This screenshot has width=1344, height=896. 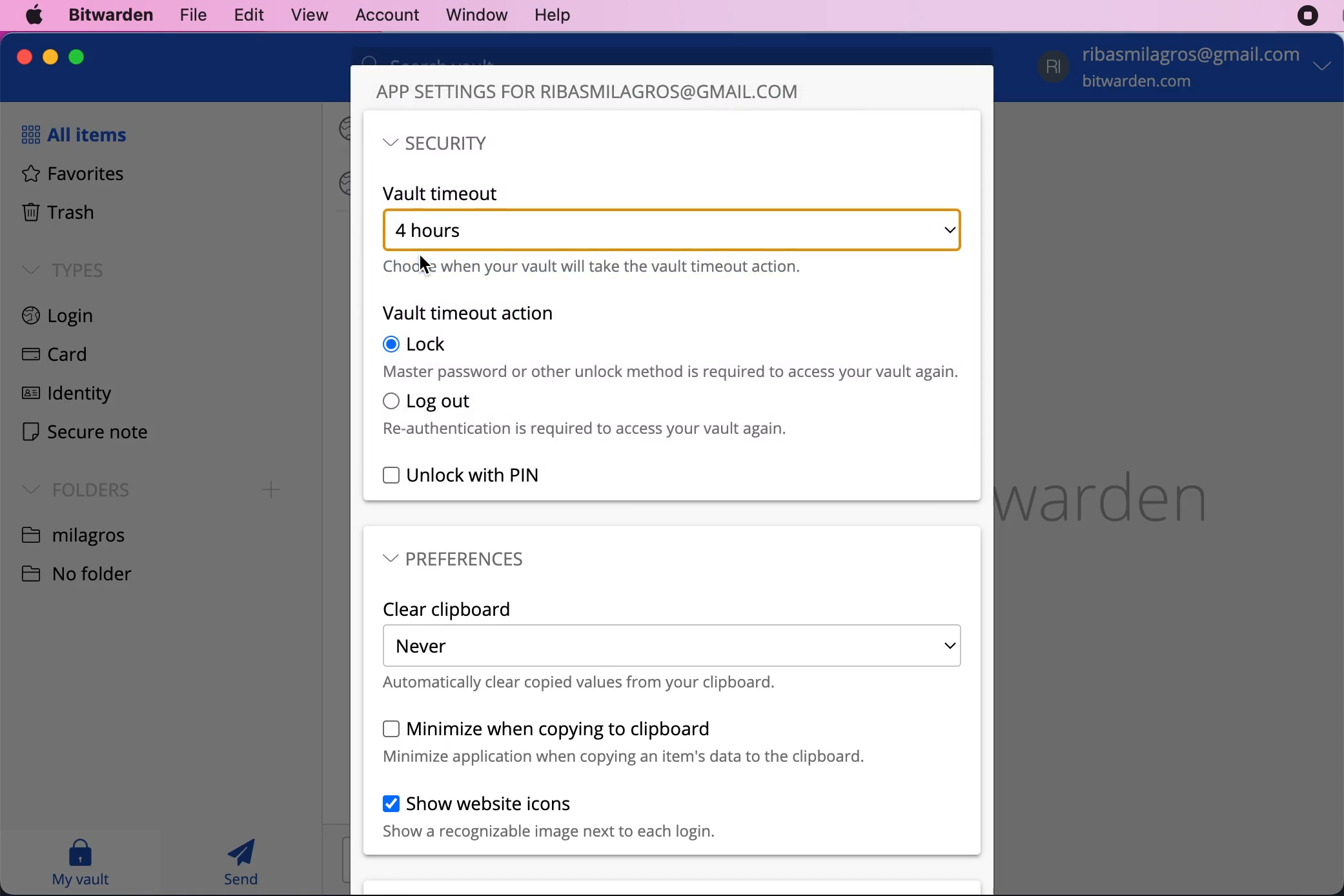 I want to click on all items, so click(x=70, y=134).